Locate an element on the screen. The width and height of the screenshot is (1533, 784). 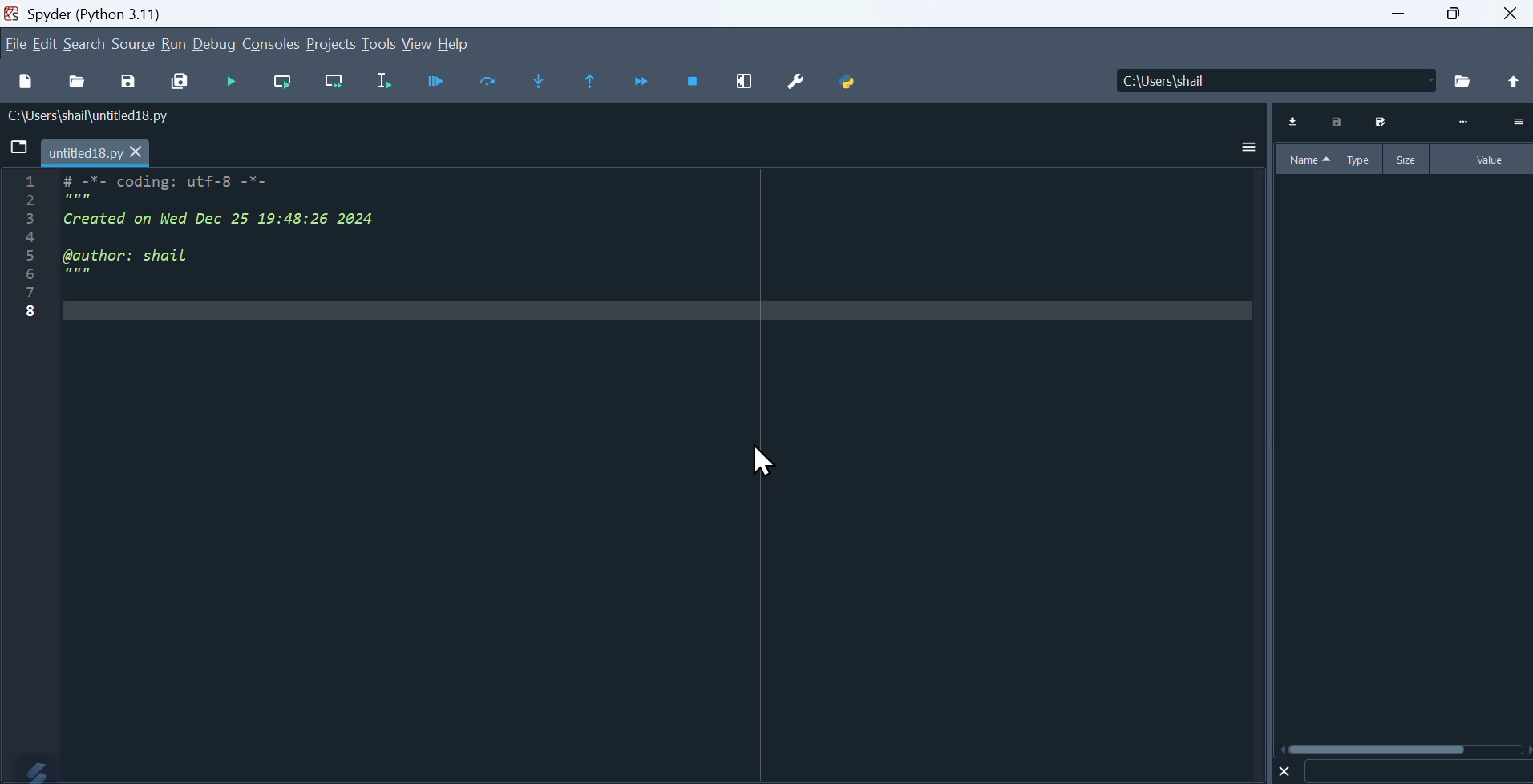
More is located at coordinates (1463, 123).